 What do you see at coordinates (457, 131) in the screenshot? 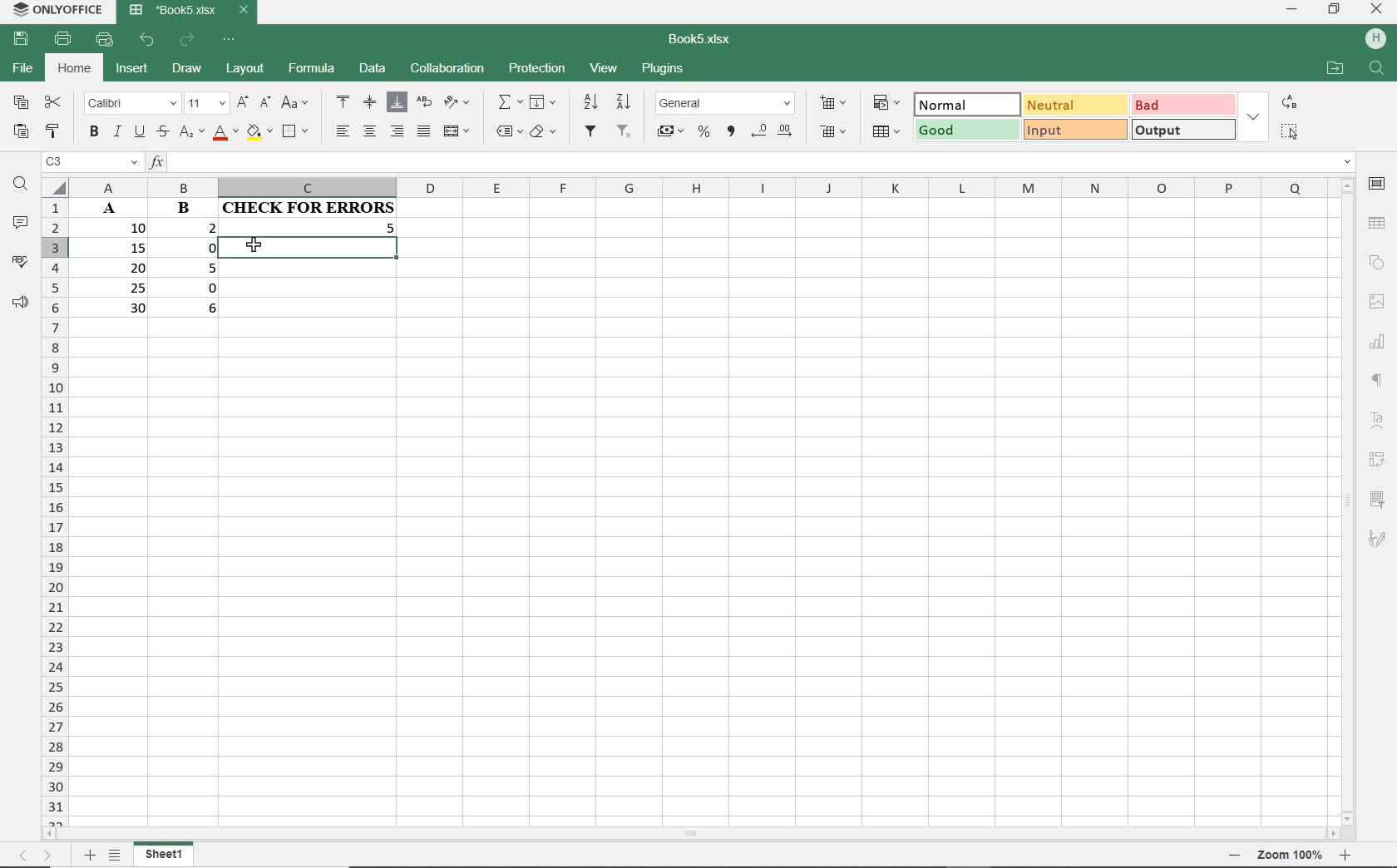
I see `MERGE & CENTER` at bounding box center [457, 131].